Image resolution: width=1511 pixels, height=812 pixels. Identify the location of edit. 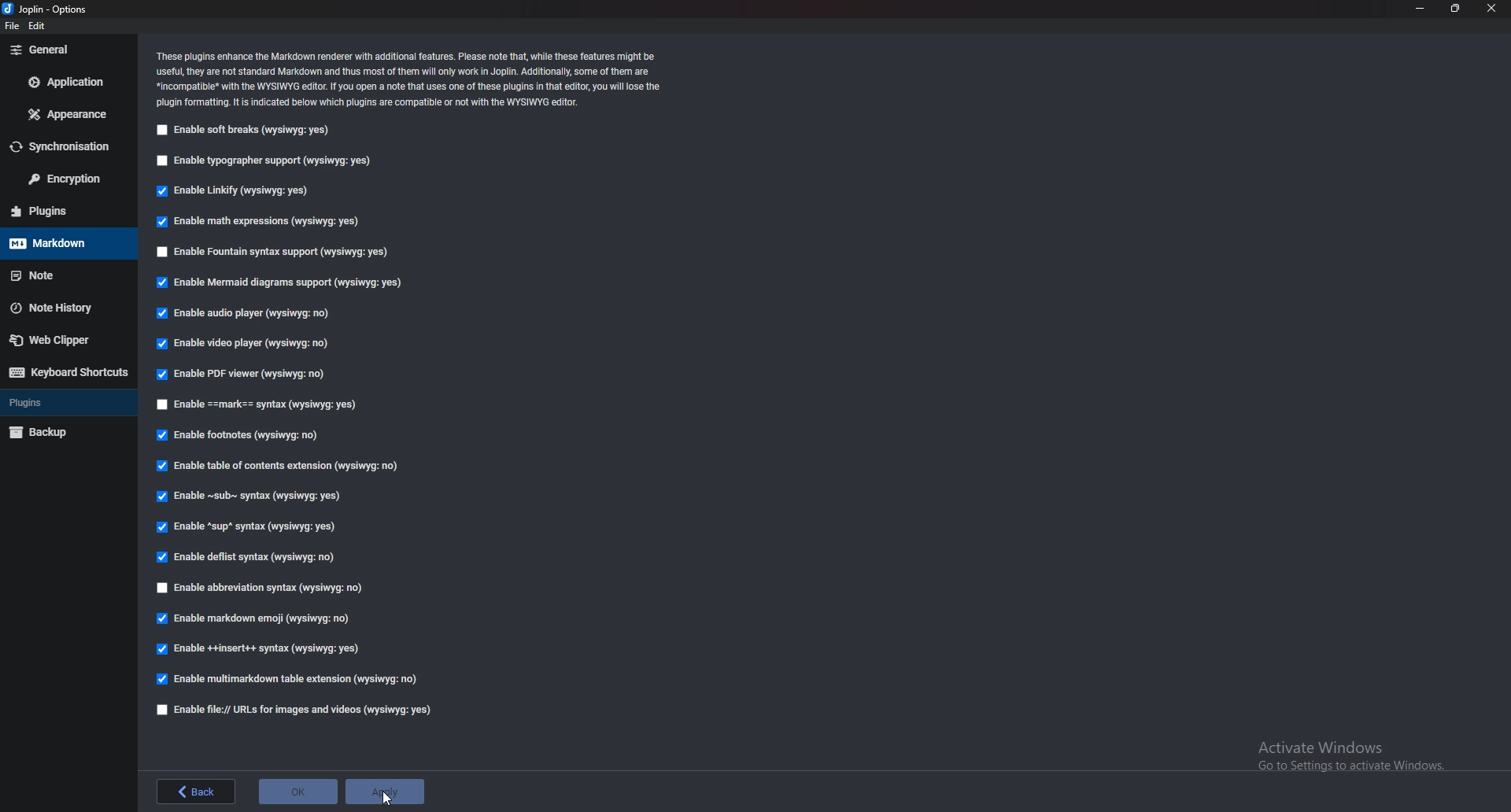
(38, 26).